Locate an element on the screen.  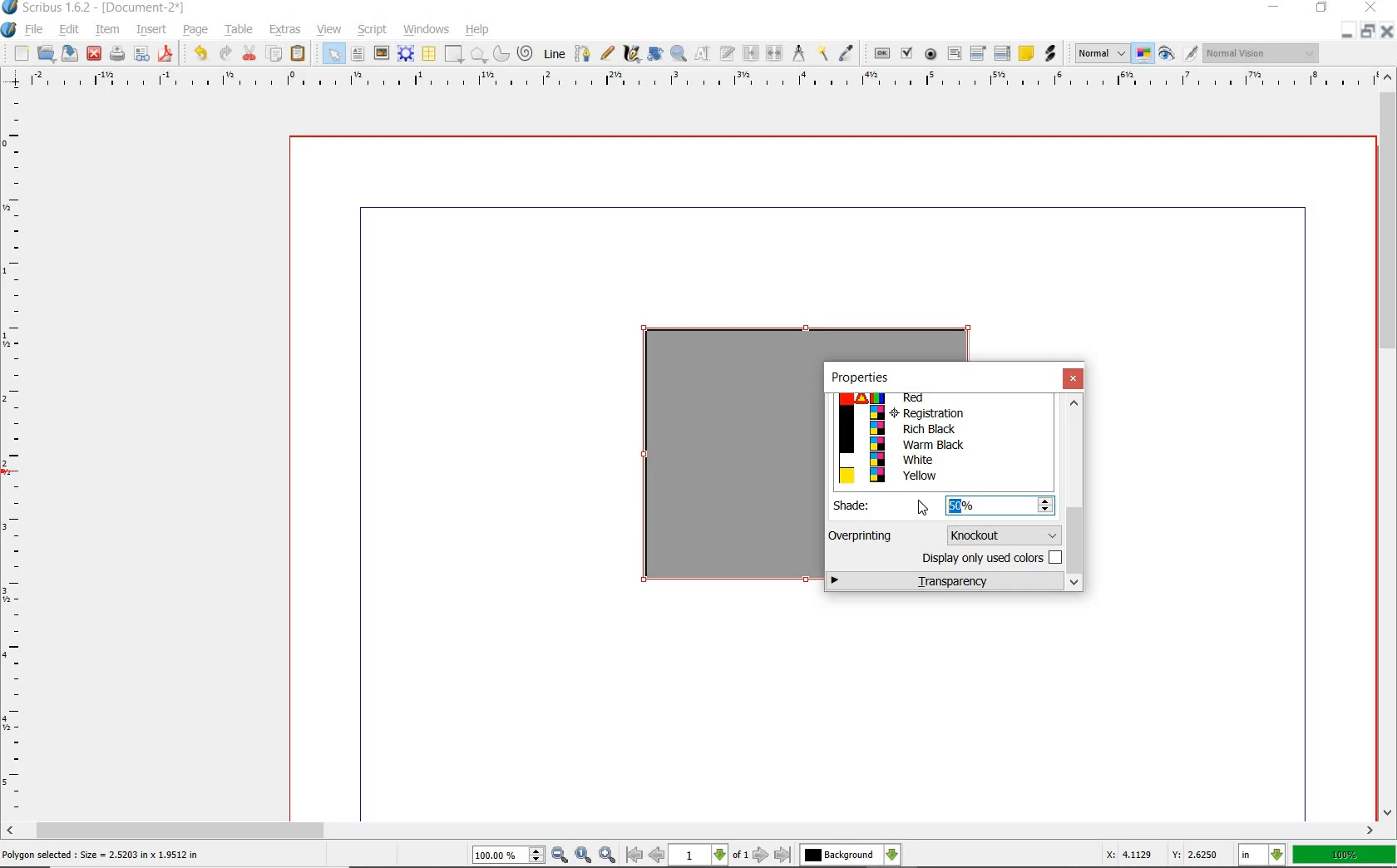
ruler is located at coordinates (17, 455).